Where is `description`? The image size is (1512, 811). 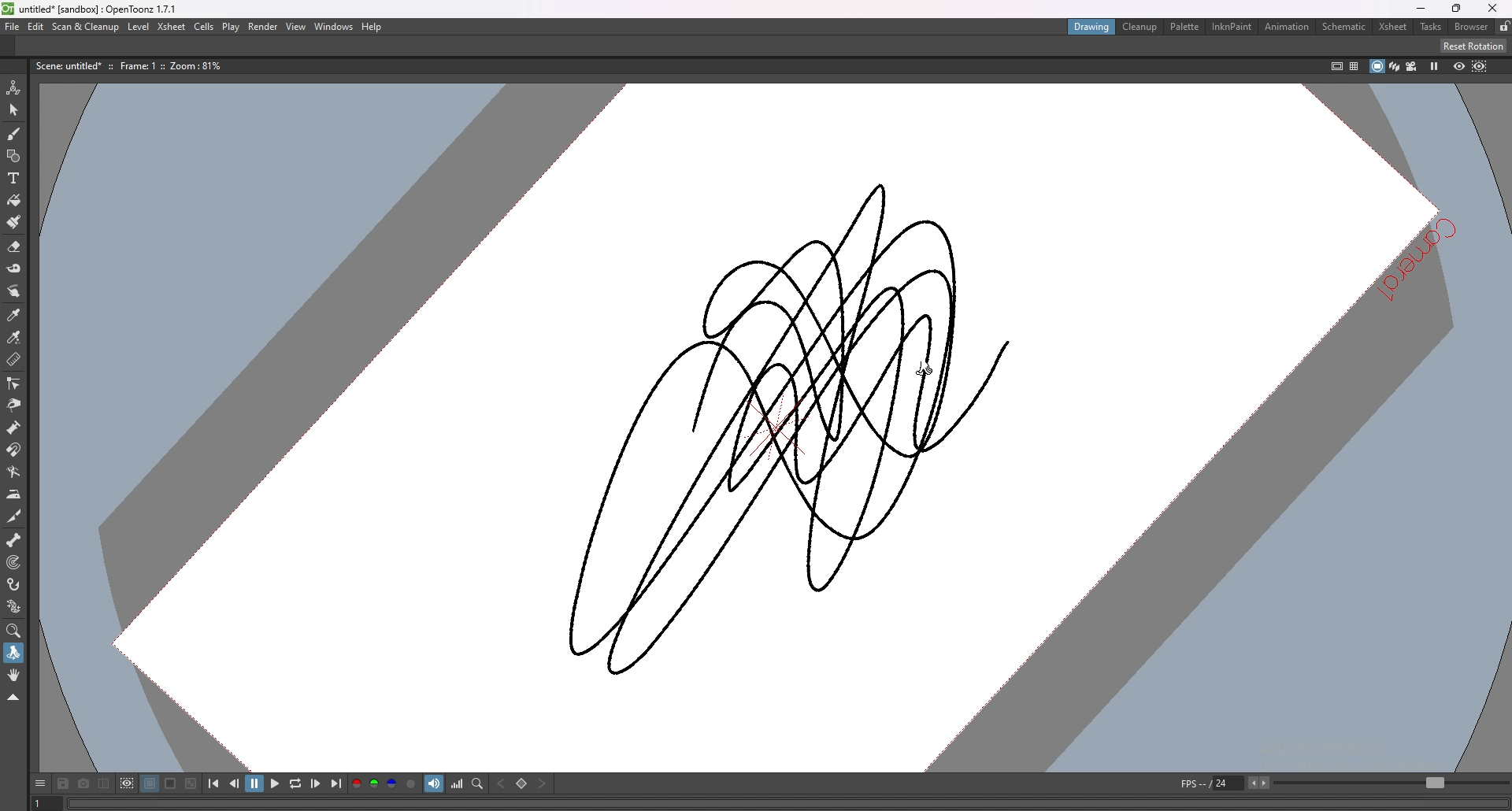 description is located at coordinates (131, 66).